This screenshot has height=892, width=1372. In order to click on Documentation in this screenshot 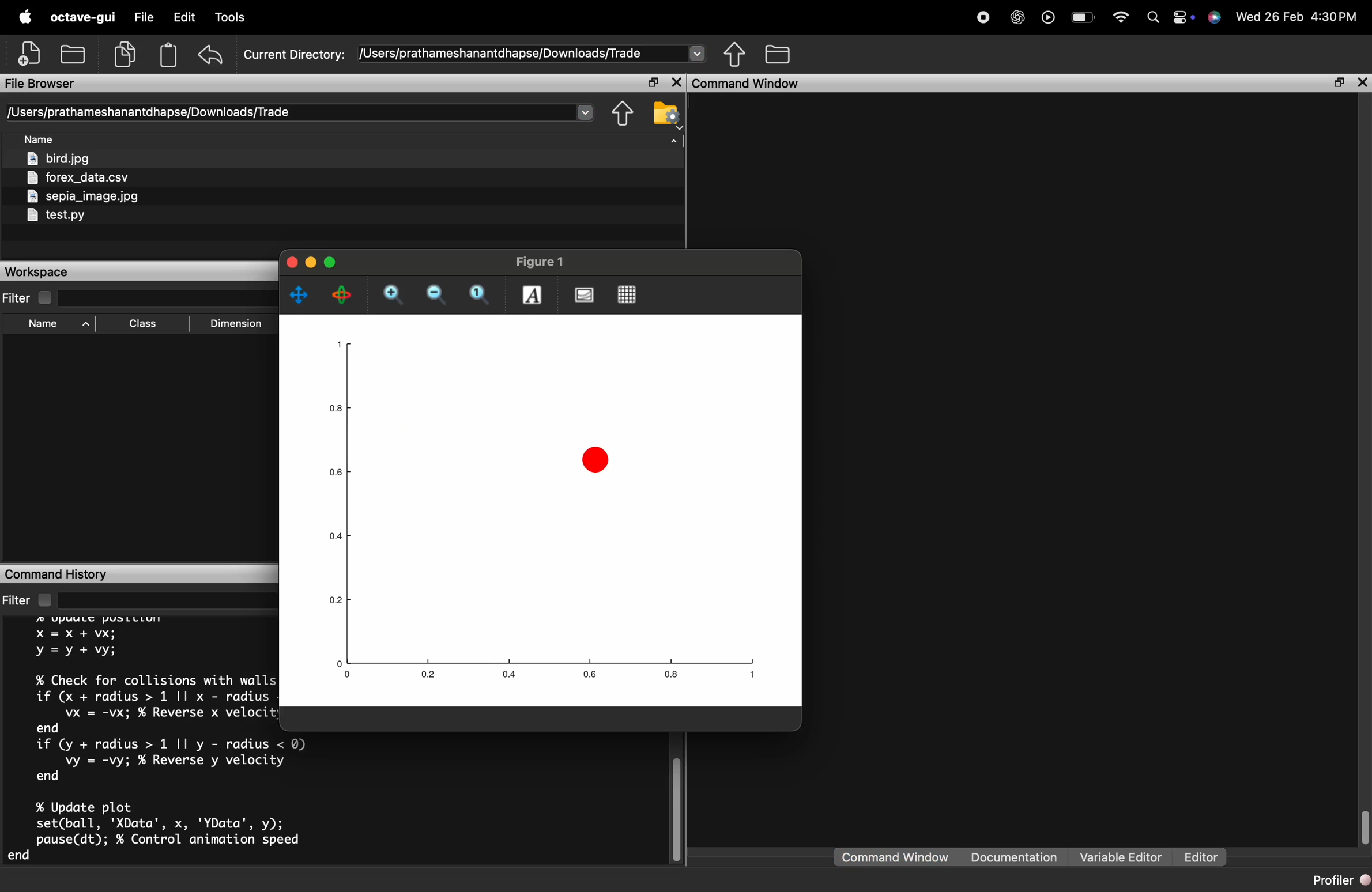, I will do `click(1015, 857)`.